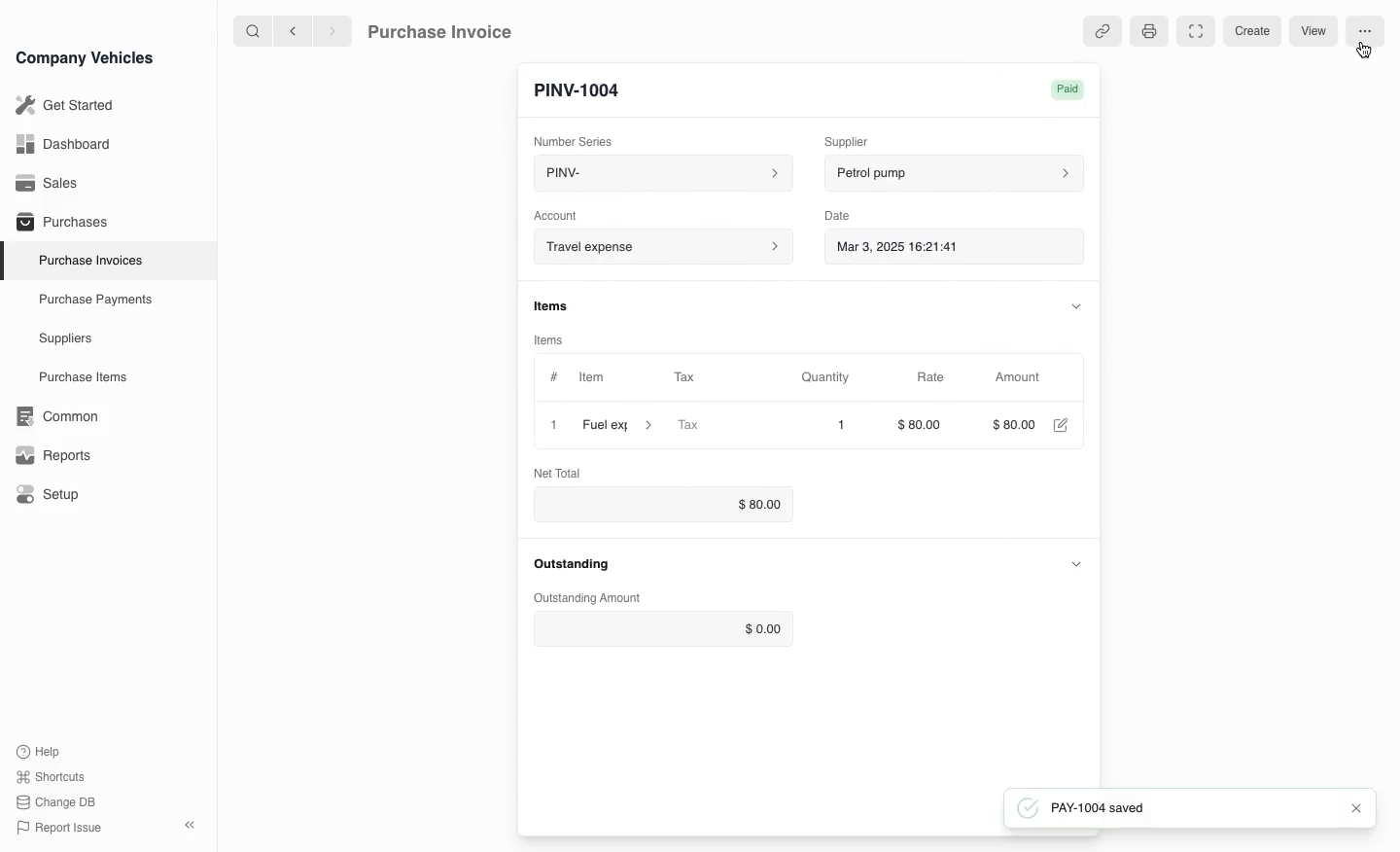  What do you see at coordinates (64, 339) in the screenshot?
I see `Suppliers` at bounding box center [64, 339].